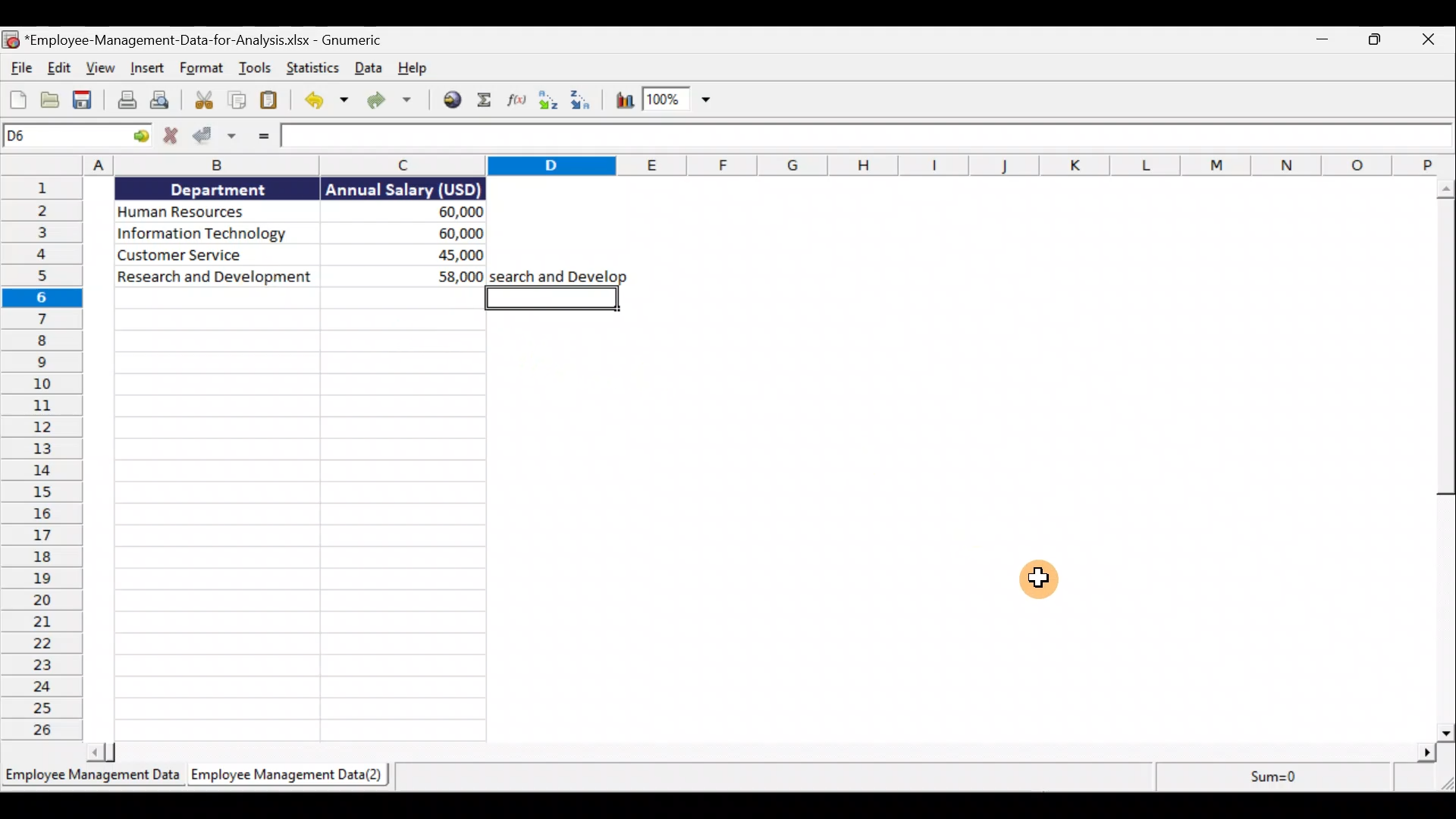 This screenshot has height=819, width=1456. What do you see at coordinates (294, 778) in the screenshot?
I see `Sheet 2` at bounding box center [294, 778].